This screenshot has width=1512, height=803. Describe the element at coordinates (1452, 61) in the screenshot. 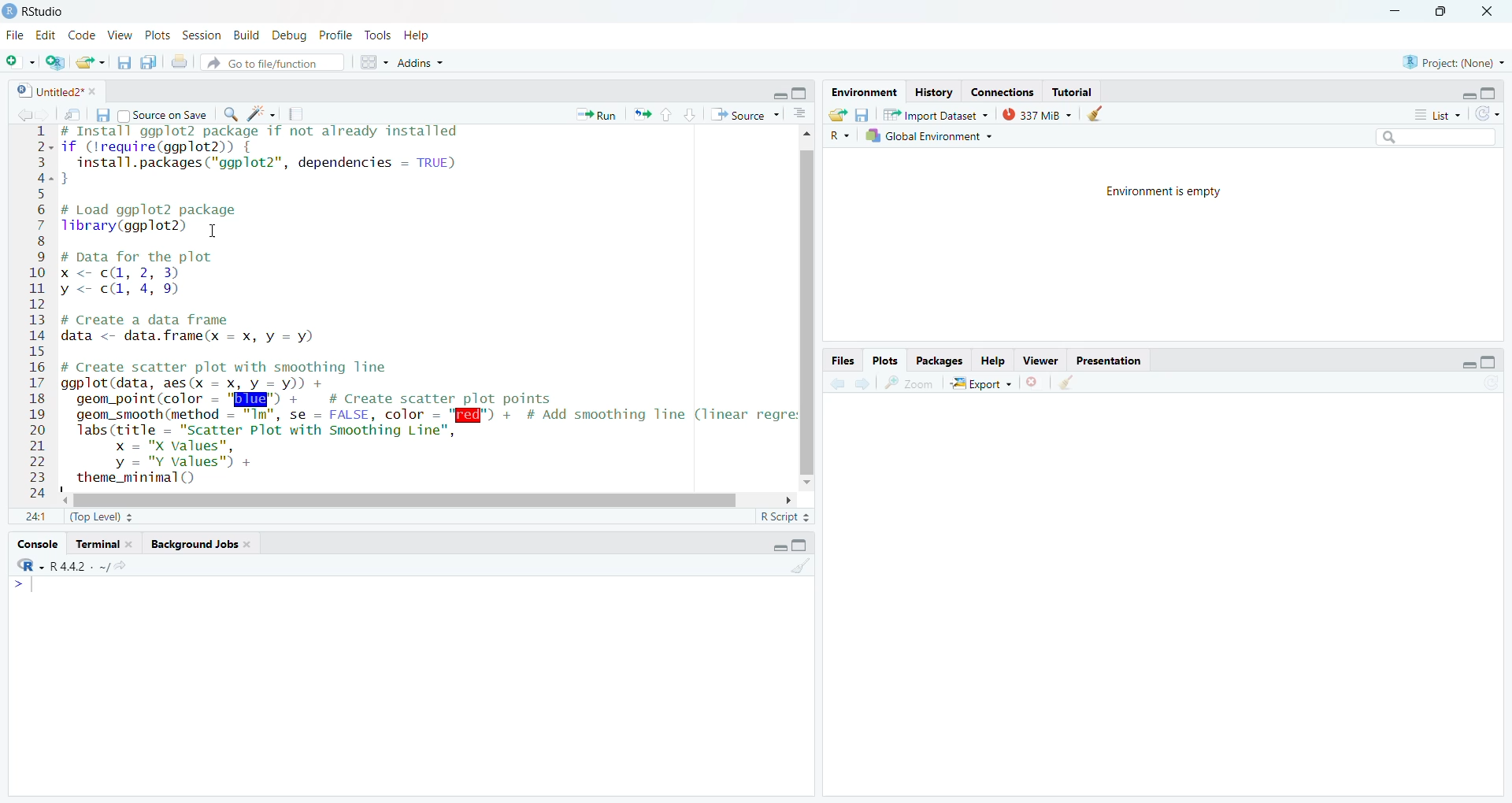

I see `Project: (None) ` at that location.